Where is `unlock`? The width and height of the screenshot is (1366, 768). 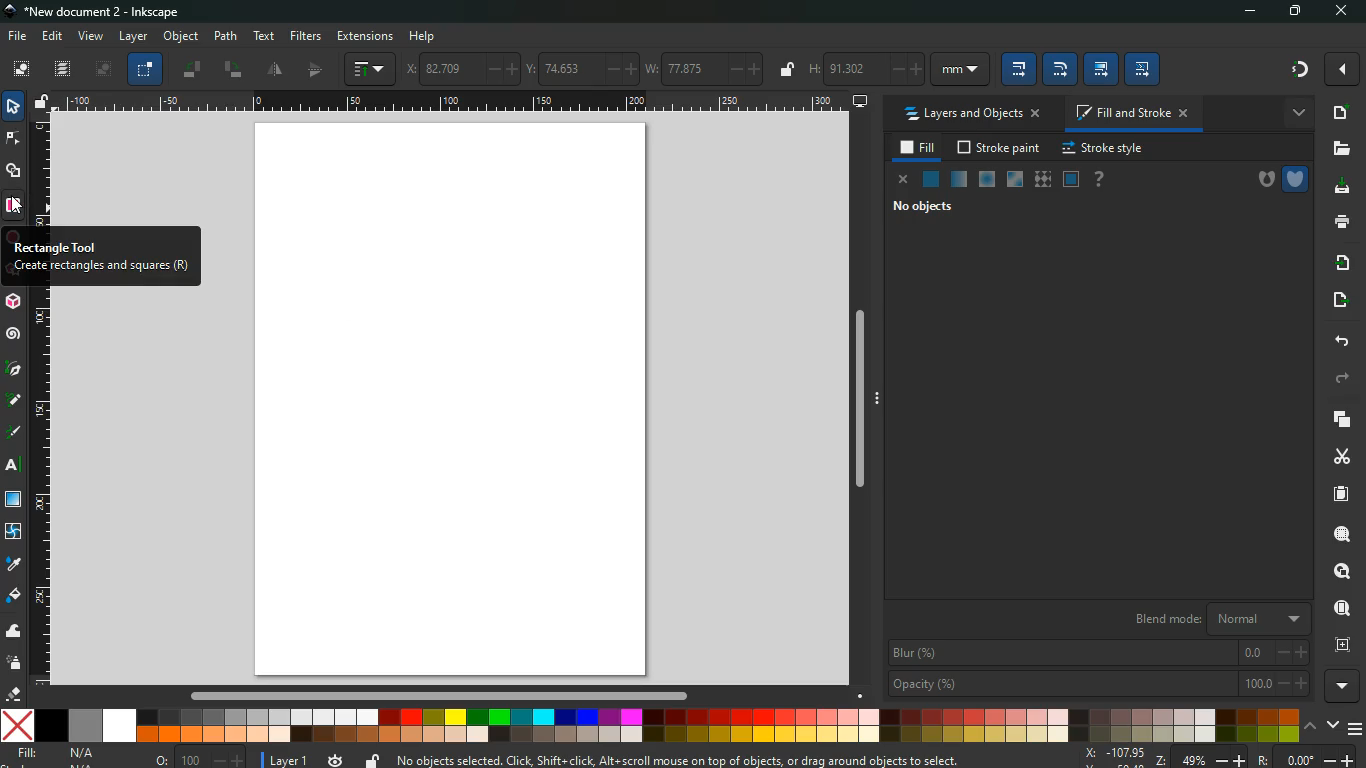 unlock is located at coordinates (789, 71).